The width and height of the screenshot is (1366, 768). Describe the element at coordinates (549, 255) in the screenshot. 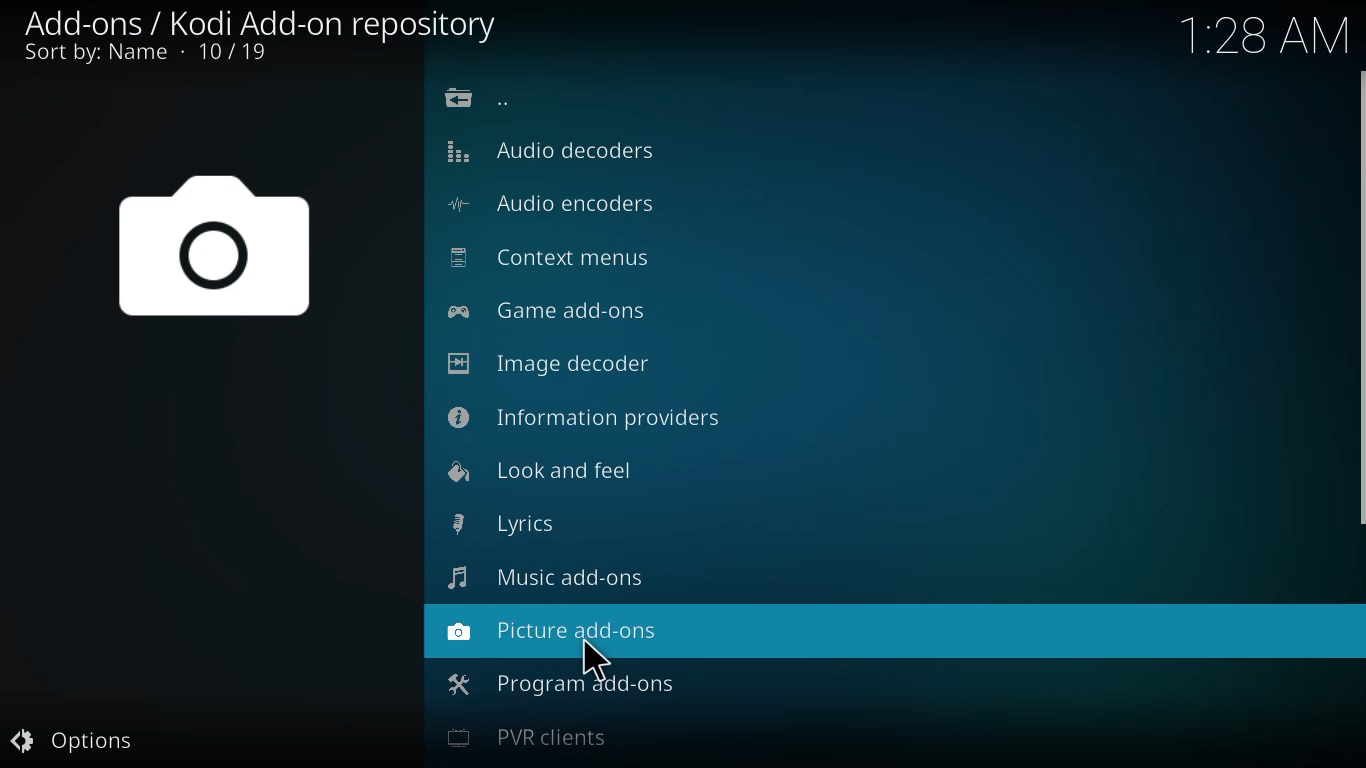

I see `context menus` at that location.